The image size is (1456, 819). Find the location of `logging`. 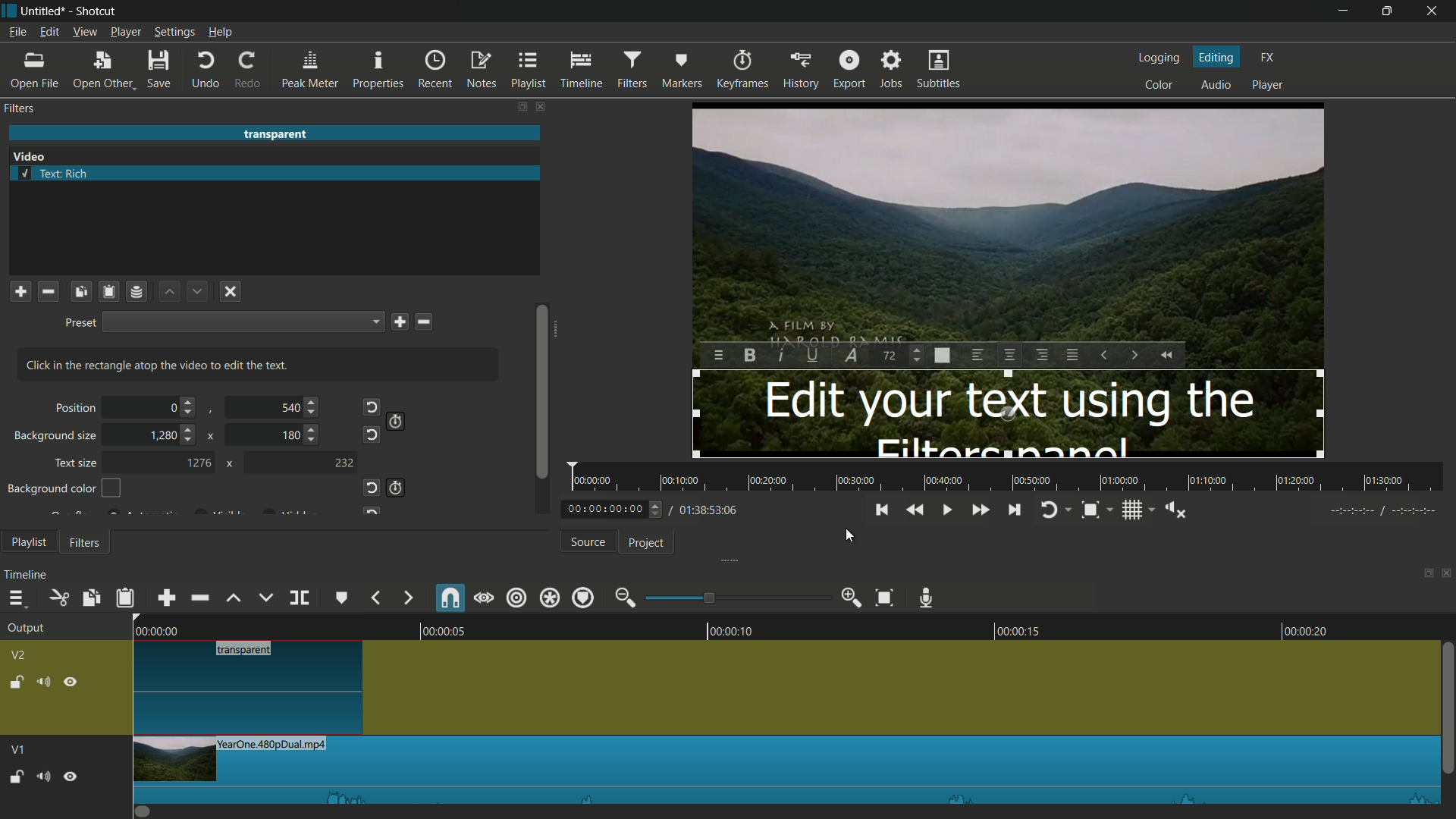

logging is located at coordinates (1161, 59).